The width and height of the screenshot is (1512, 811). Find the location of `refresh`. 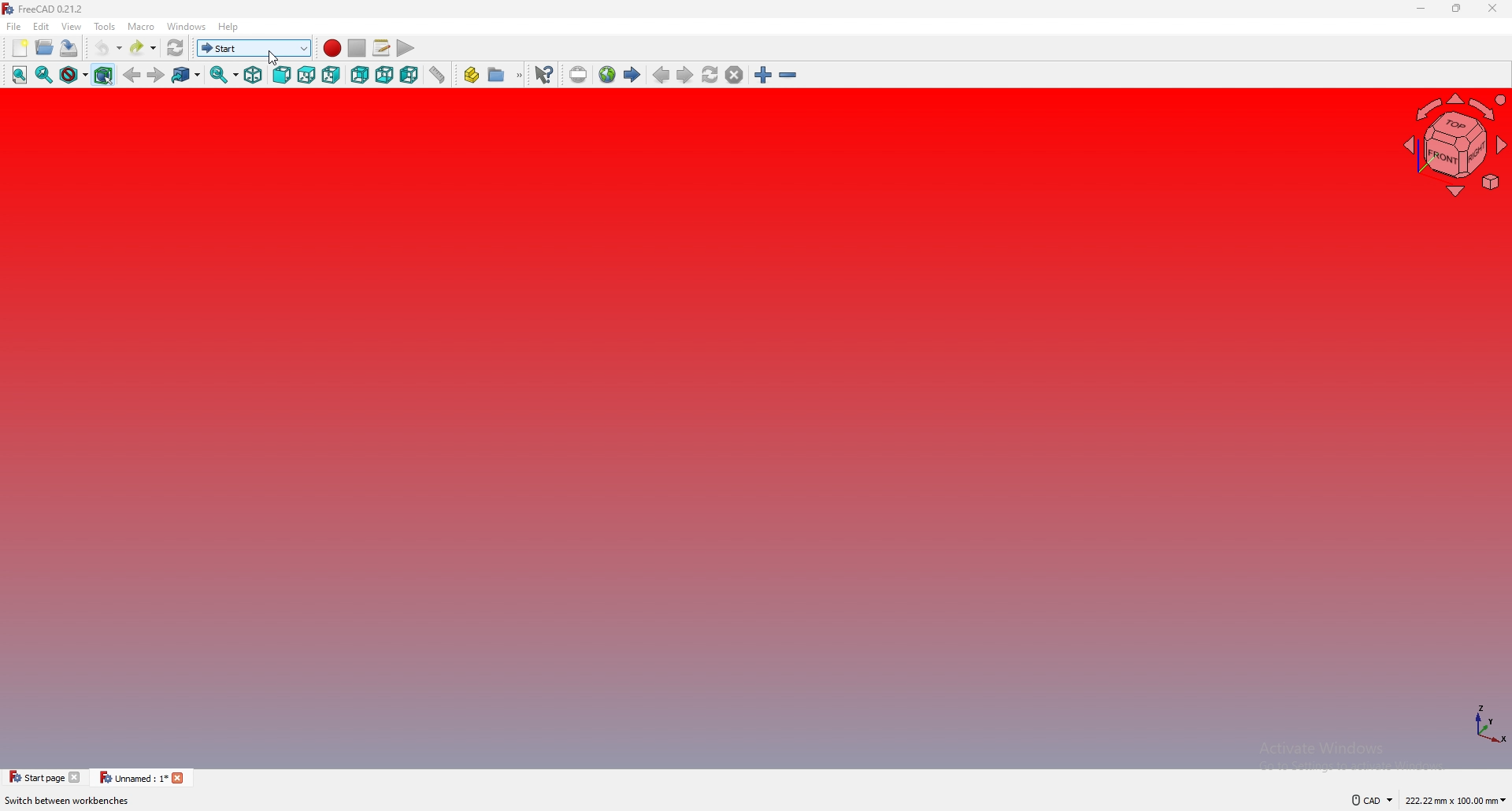

refresh is located at coordinates (176, 48).